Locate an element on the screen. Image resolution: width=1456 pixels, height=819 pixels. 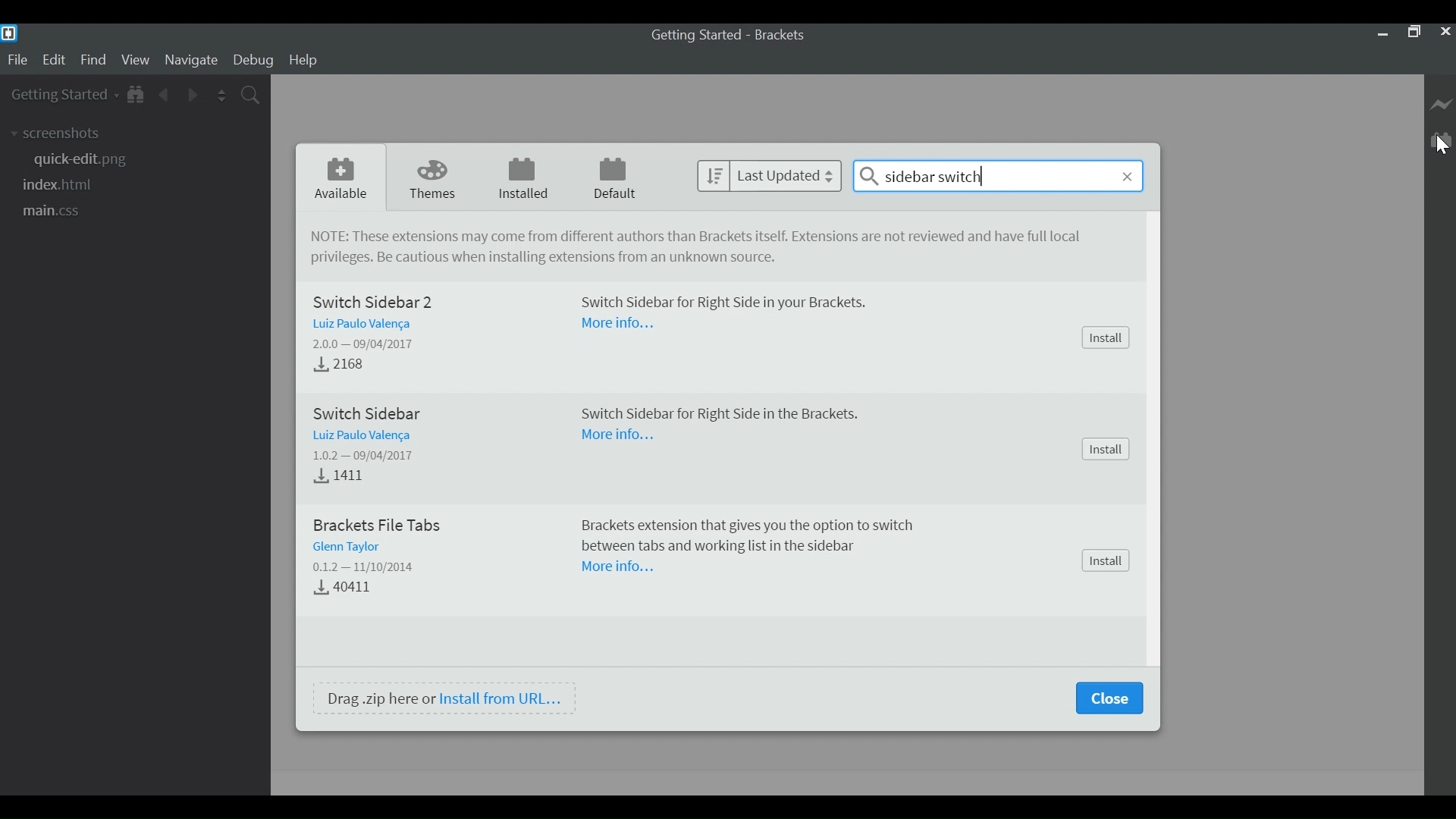
Default is located at coordinates (613, 177).